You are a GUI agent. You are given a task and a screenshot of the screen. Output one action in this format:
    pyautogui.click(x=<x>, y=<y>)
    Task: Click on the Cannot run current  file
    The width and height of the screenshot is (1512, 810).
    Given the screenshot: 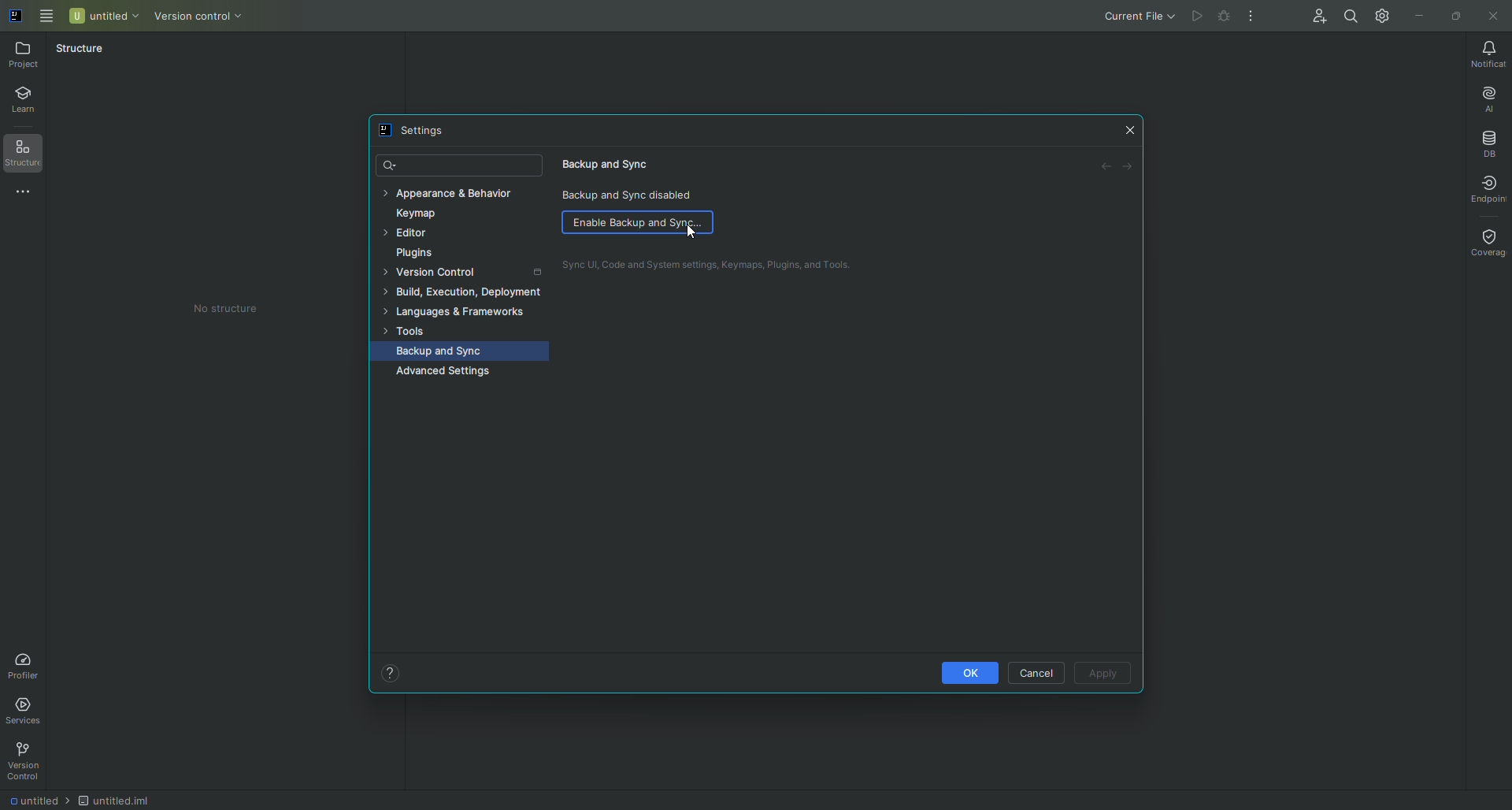 What is the action you would take?
    pyautogui.click(x=1226, y=19)
    